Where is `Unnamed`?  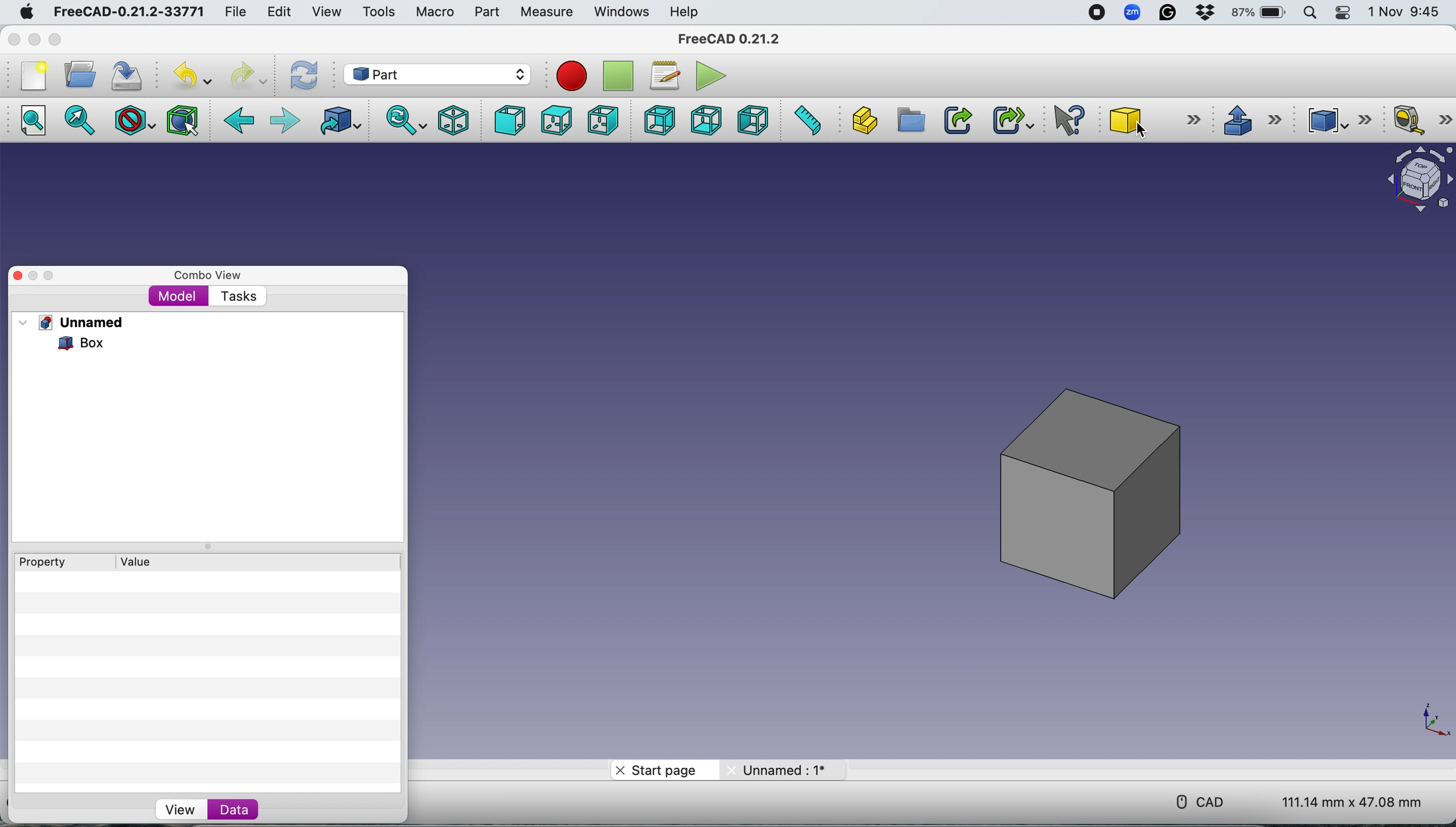 Unnamed is located at coordinates (782, 769).